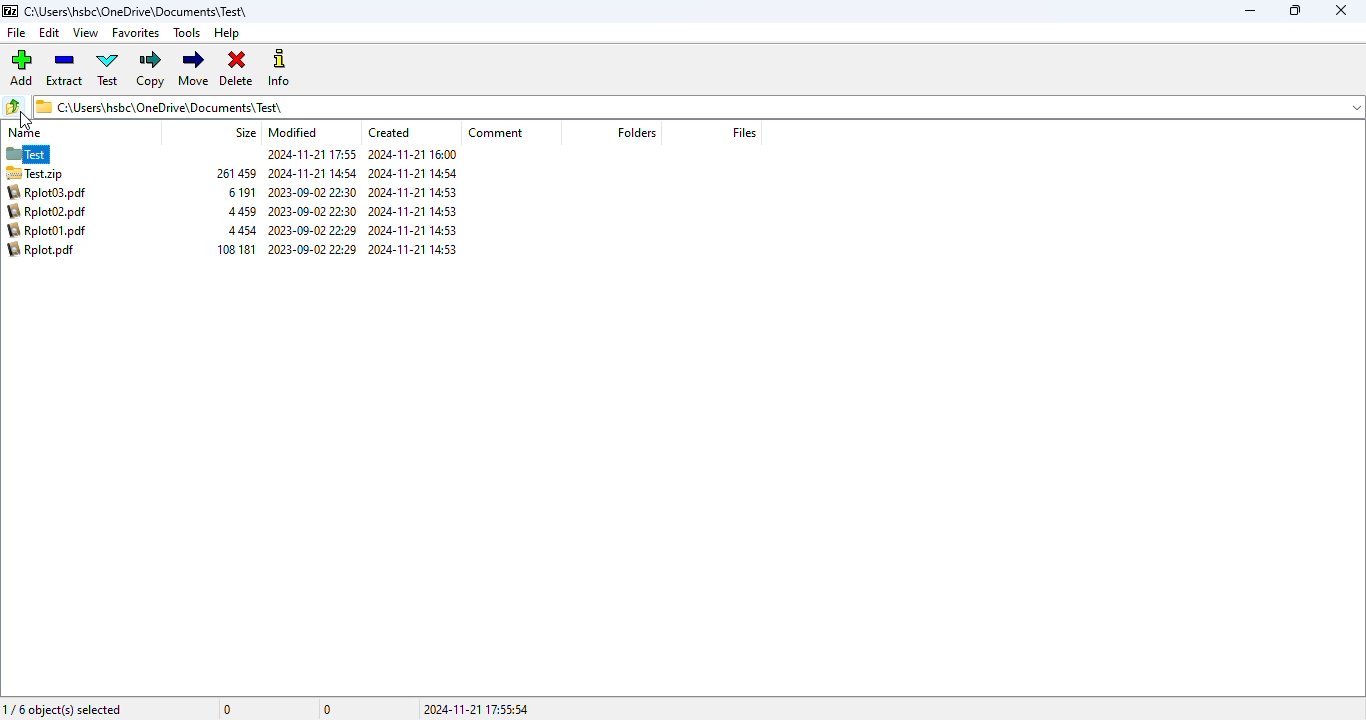  I want to click on 2024-11-21 14:53, so click(411, 211).